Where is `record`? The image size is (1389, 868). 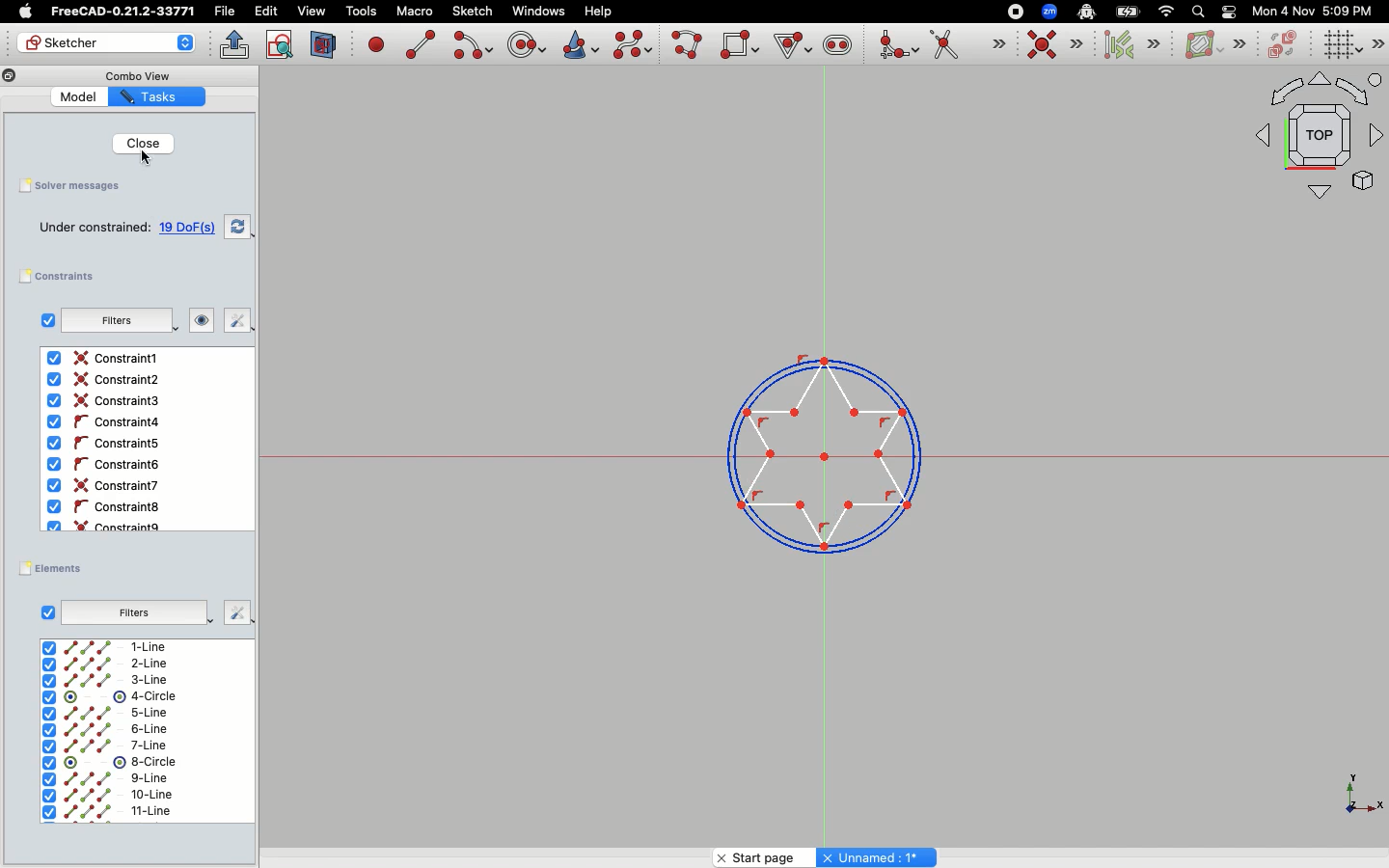 record is located at coordinates (1011, 11).